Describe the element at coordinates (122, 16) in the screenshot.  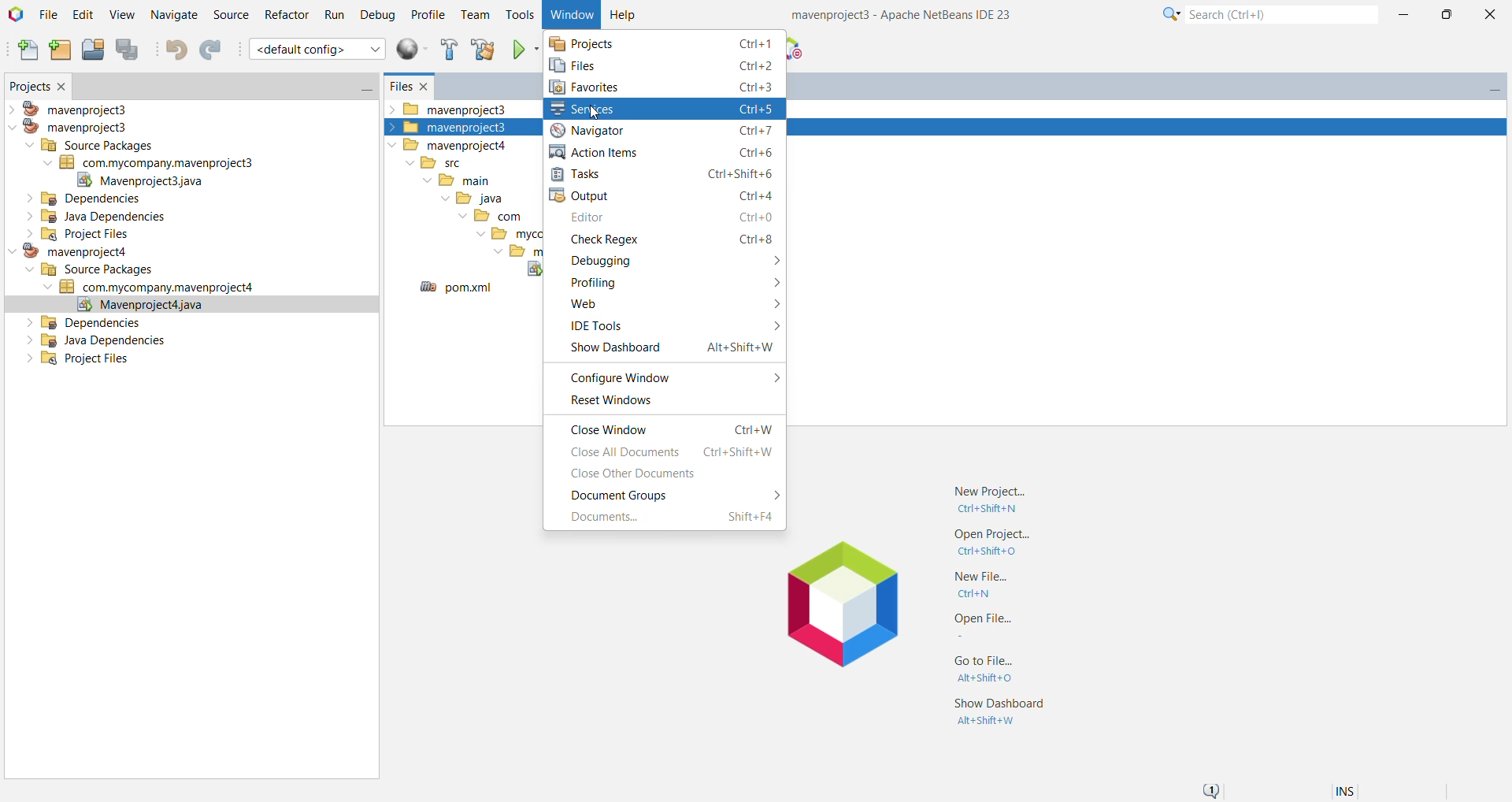
I see `View` at that location.